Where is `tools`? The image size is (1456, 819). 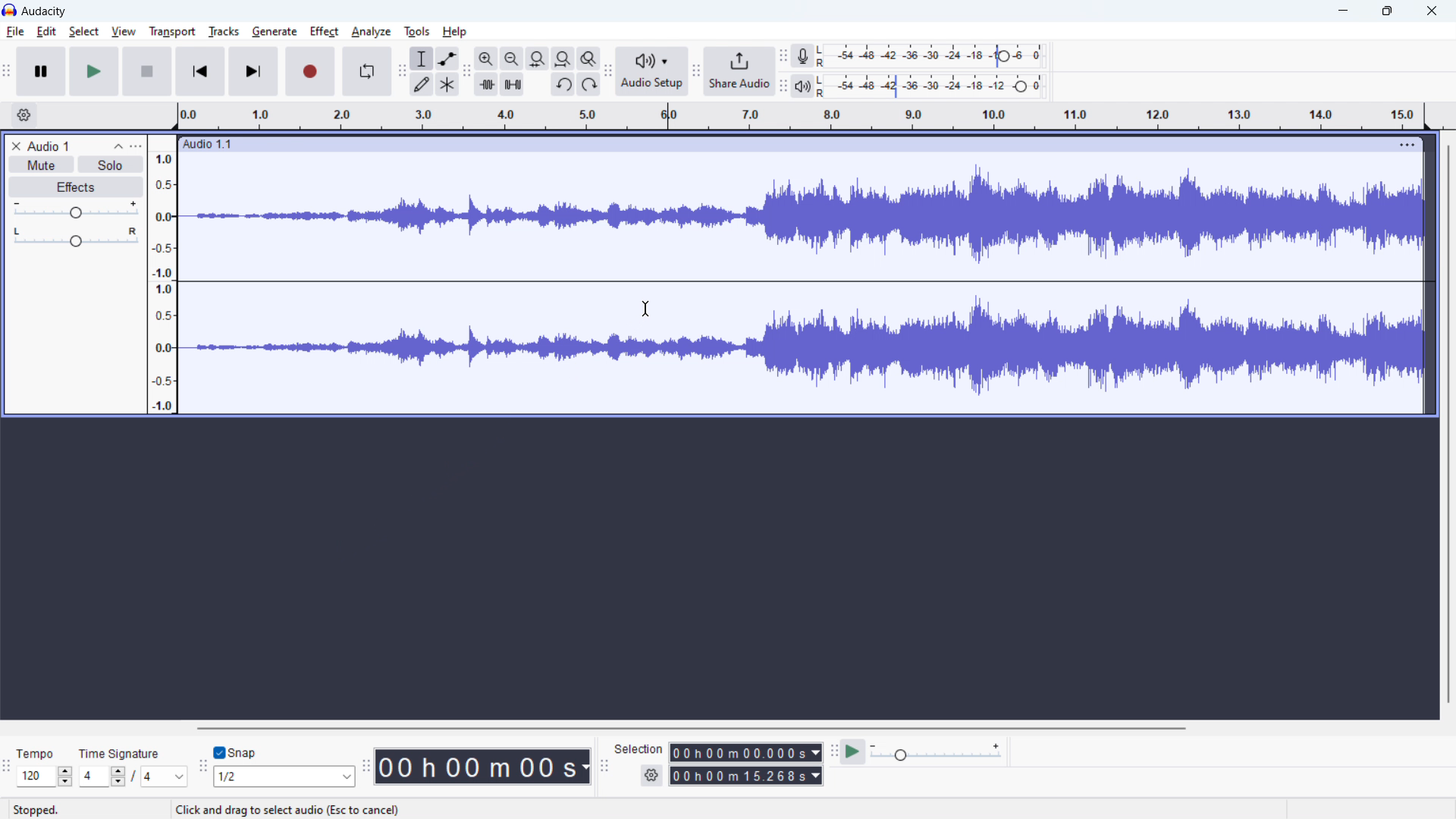
tools is located at coordinates (417, 32).